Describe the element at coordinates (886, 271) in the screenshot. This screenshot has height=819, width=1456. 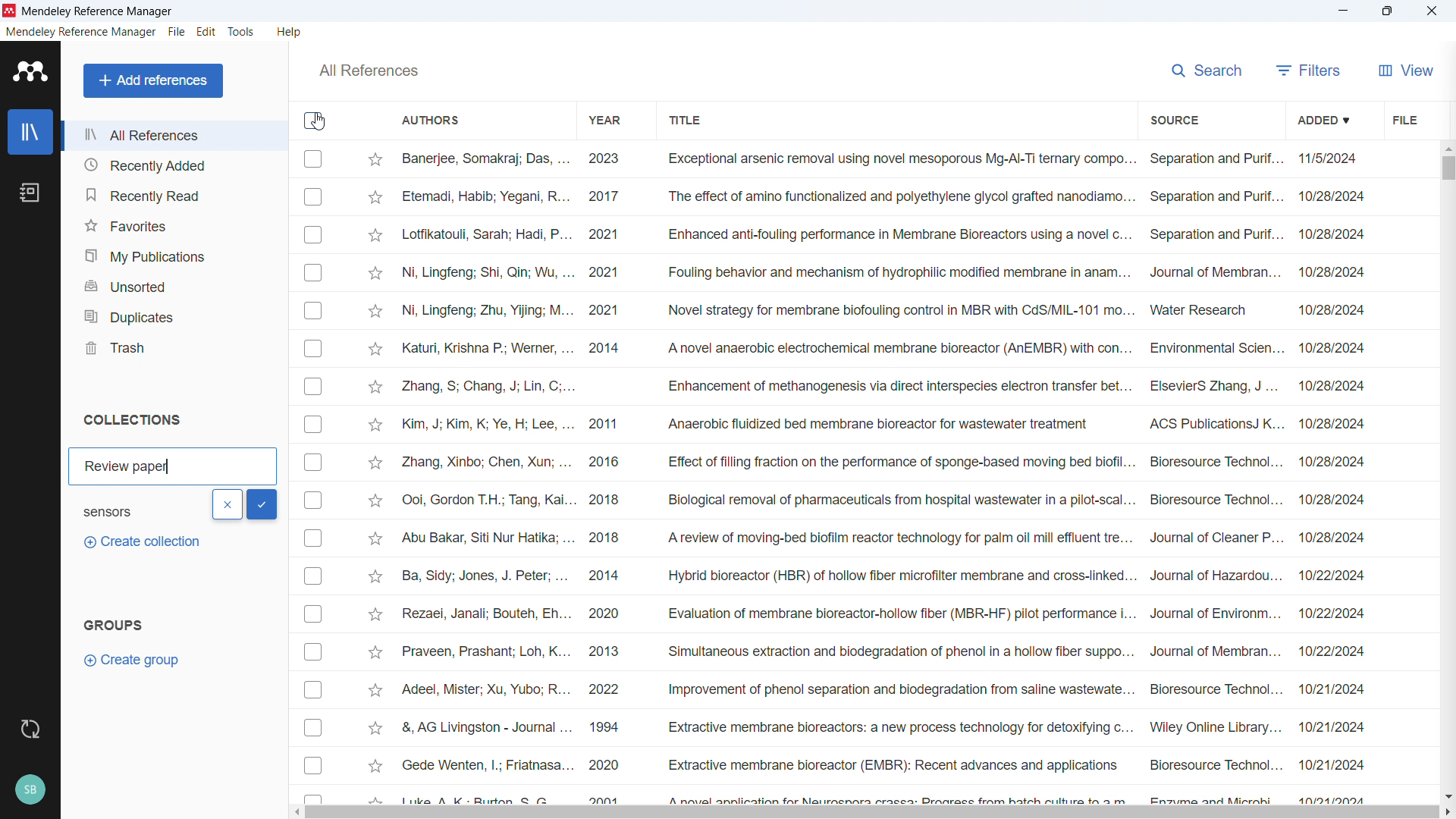
I see `Ni, Lingfeng; Shi, Qin; Wu, ... 2021 Fouling behavior and mechanism of hydrophilic modified membrane in anam... Journal of Membran... 10/28/2024` at that location.